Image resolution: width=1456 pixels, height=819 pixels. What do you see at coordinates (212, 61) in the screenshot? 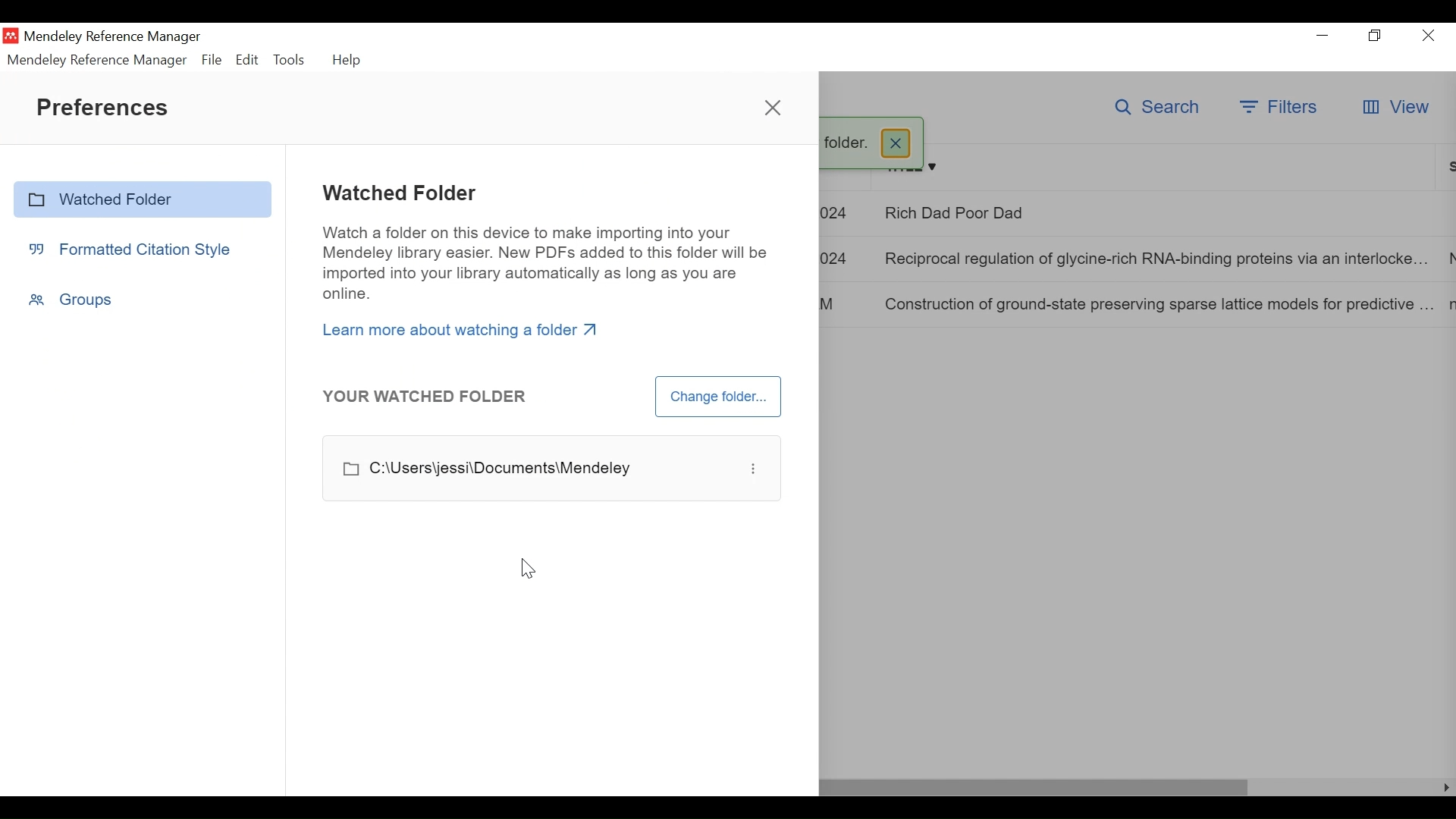
I see `File` at bounding box center [212, 61].